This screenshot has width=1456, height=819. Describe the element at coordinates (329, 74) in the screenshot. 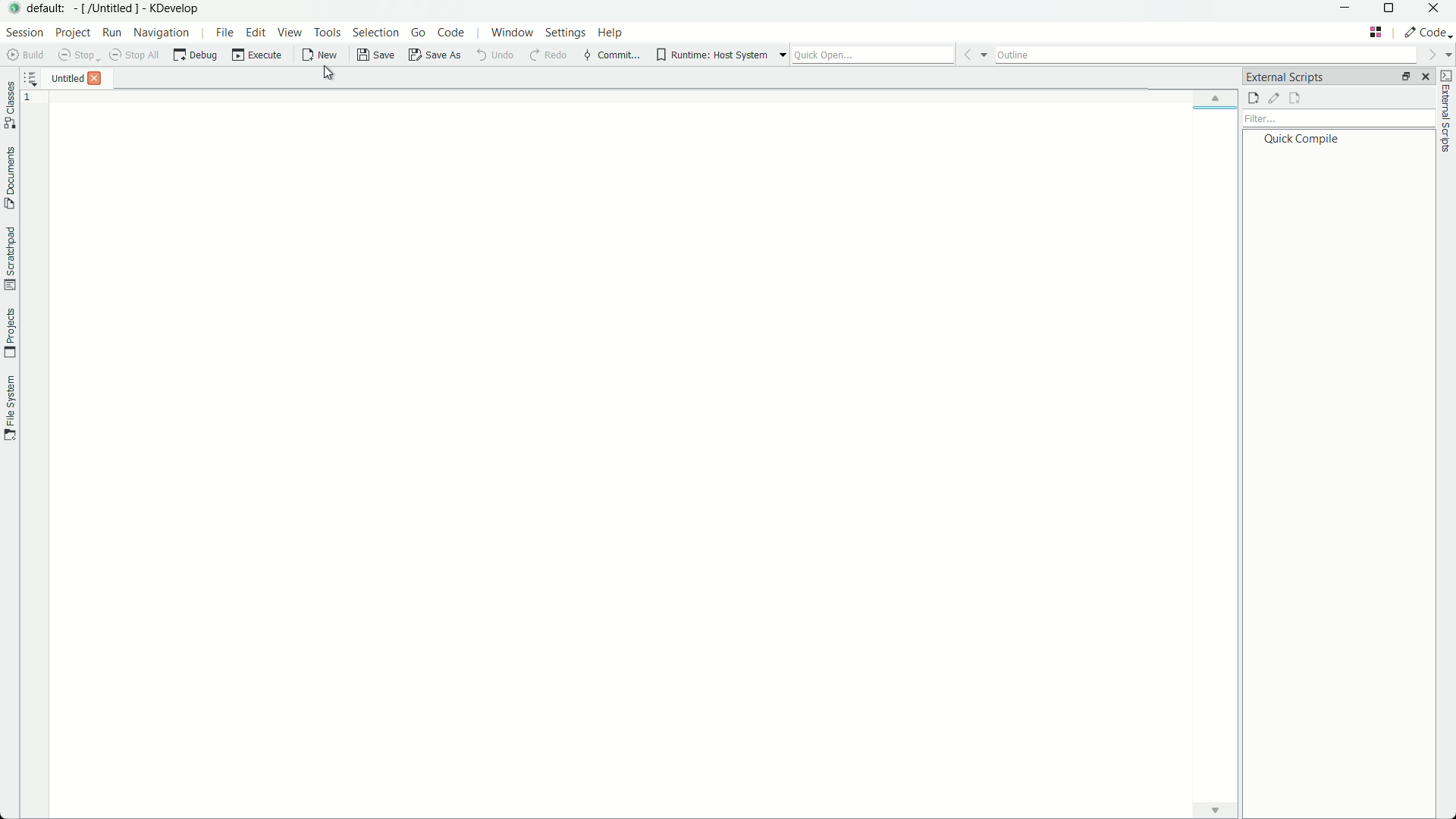

I see `cursor` at that location.